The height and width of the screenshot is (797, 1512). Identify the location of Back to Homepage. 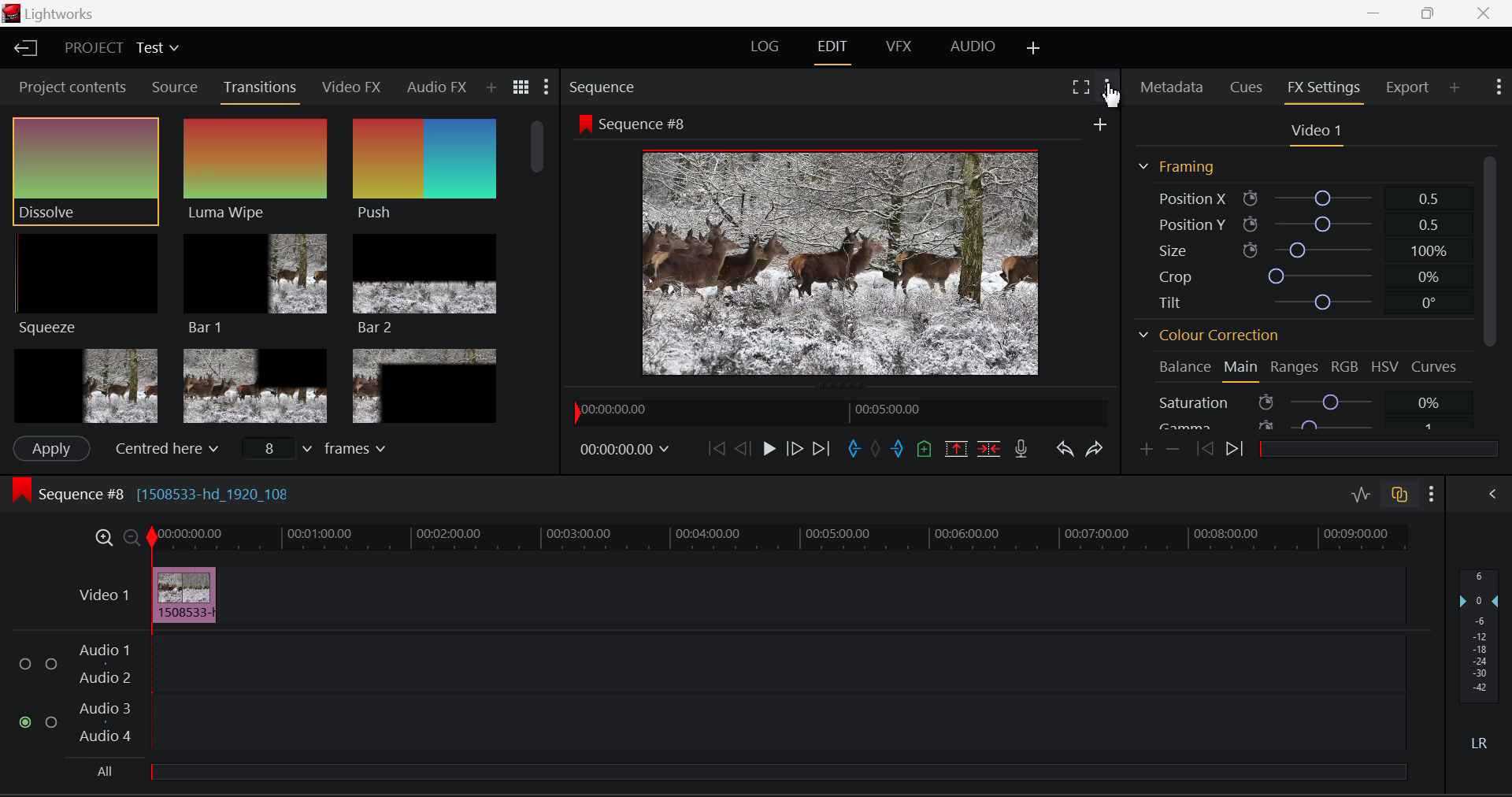
(30, 50).